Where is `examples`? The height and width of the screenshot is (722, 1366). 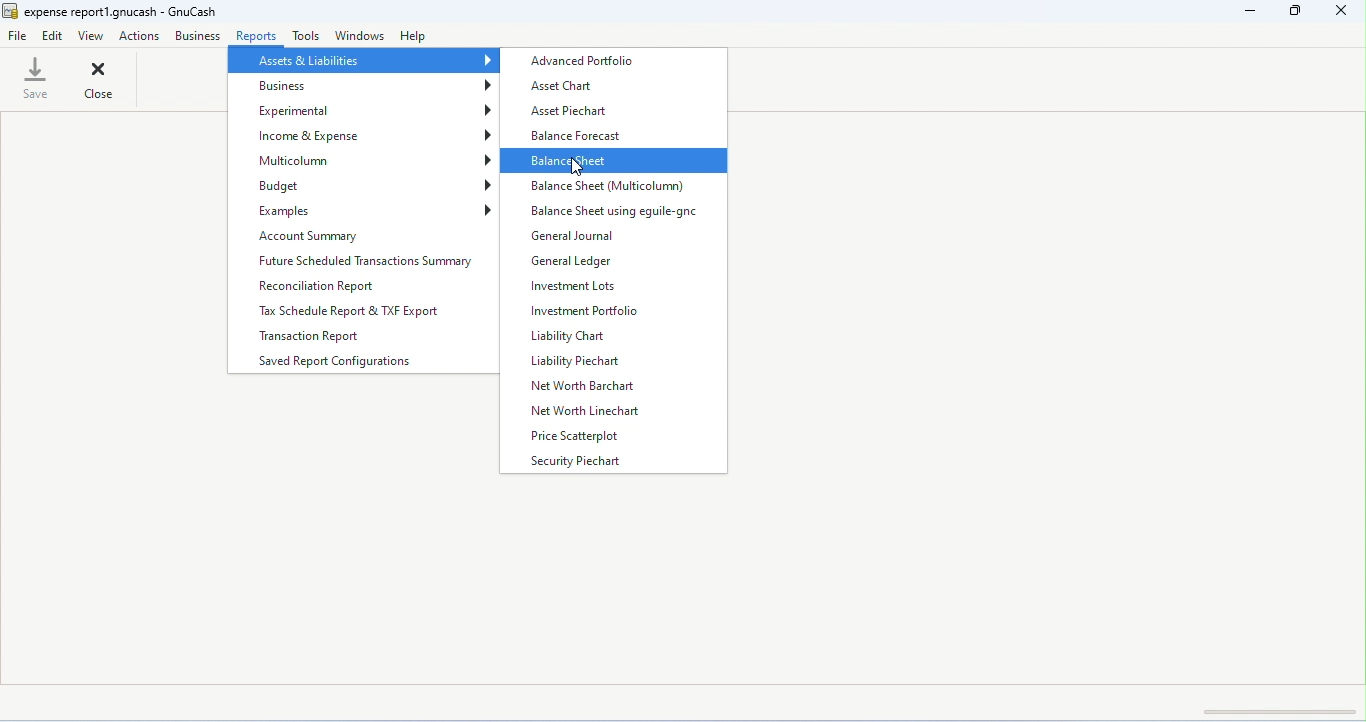 examples is located at coordinates (365, 210).